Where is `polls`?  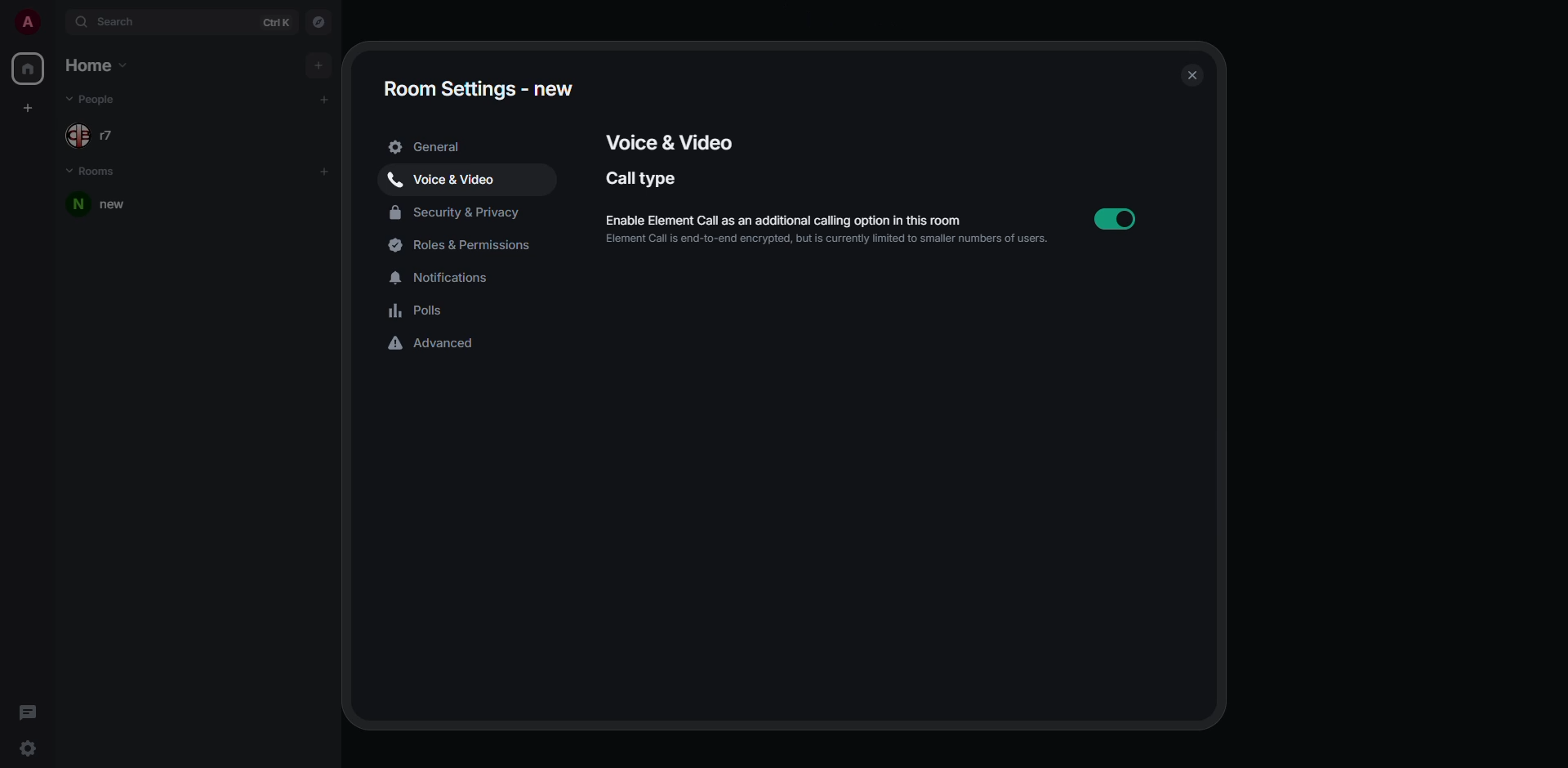 polls is located at coordinates (418, 310).